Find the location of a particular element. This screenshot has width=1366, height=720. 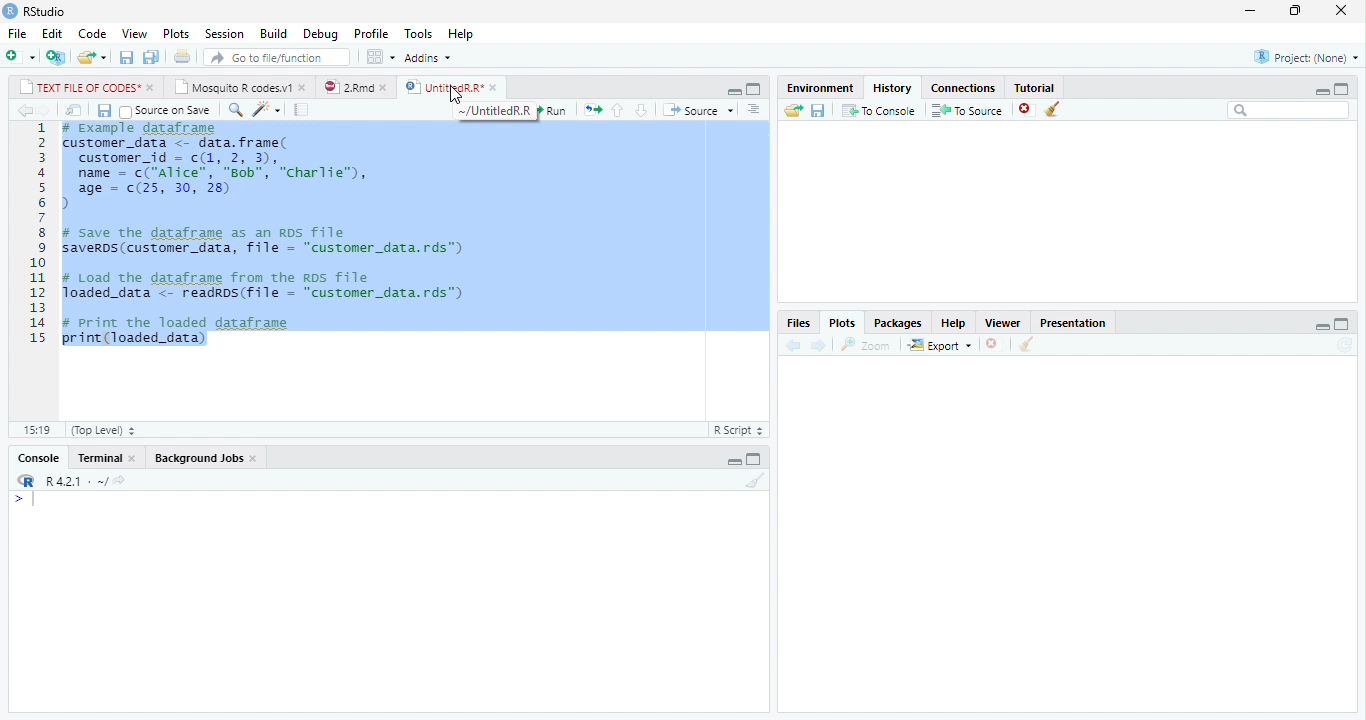

clear is located at coordinates (756, 480).